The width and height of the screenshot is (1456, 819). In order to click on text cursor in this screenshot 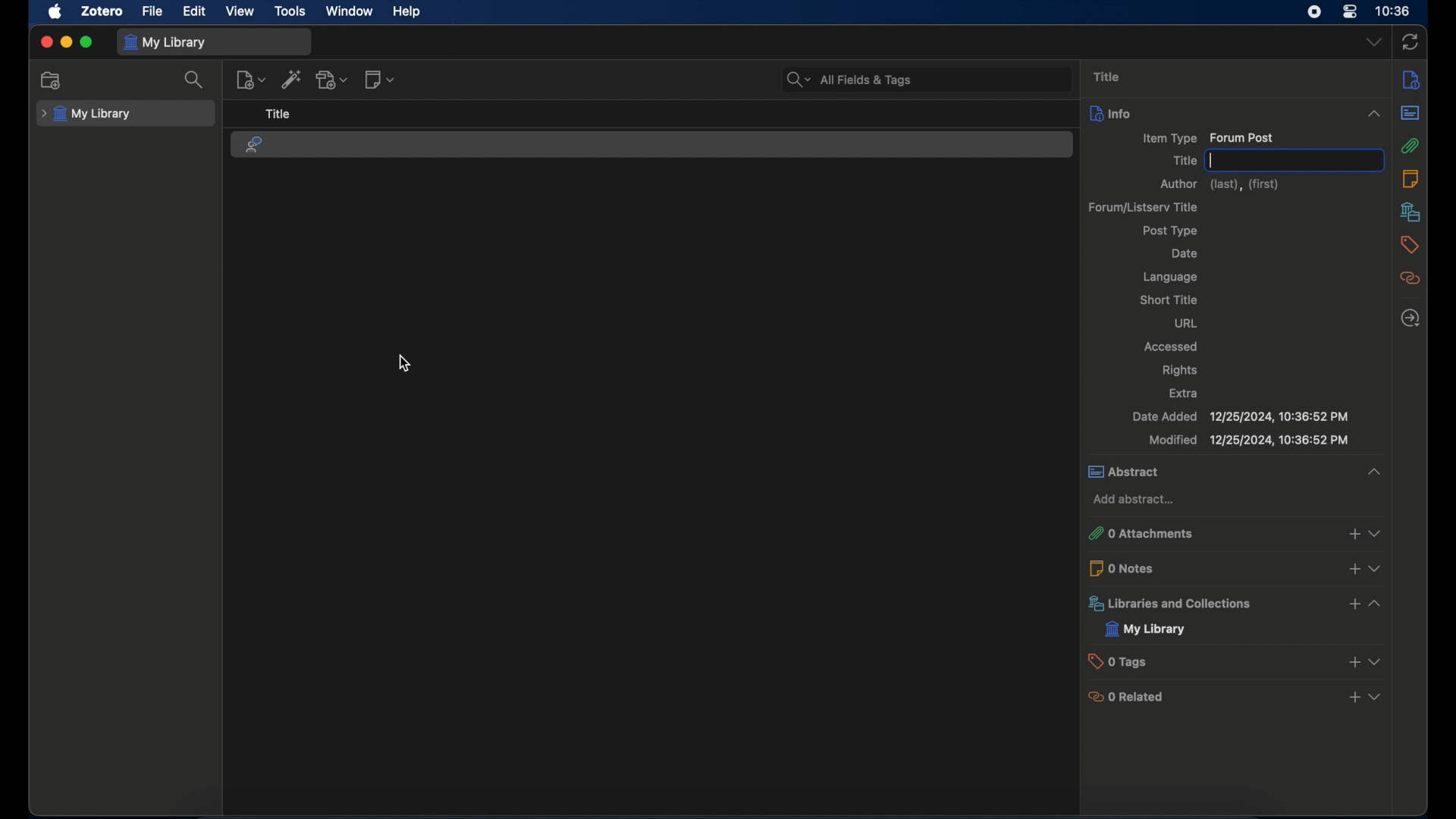, I will do `click(1212, 160)`.